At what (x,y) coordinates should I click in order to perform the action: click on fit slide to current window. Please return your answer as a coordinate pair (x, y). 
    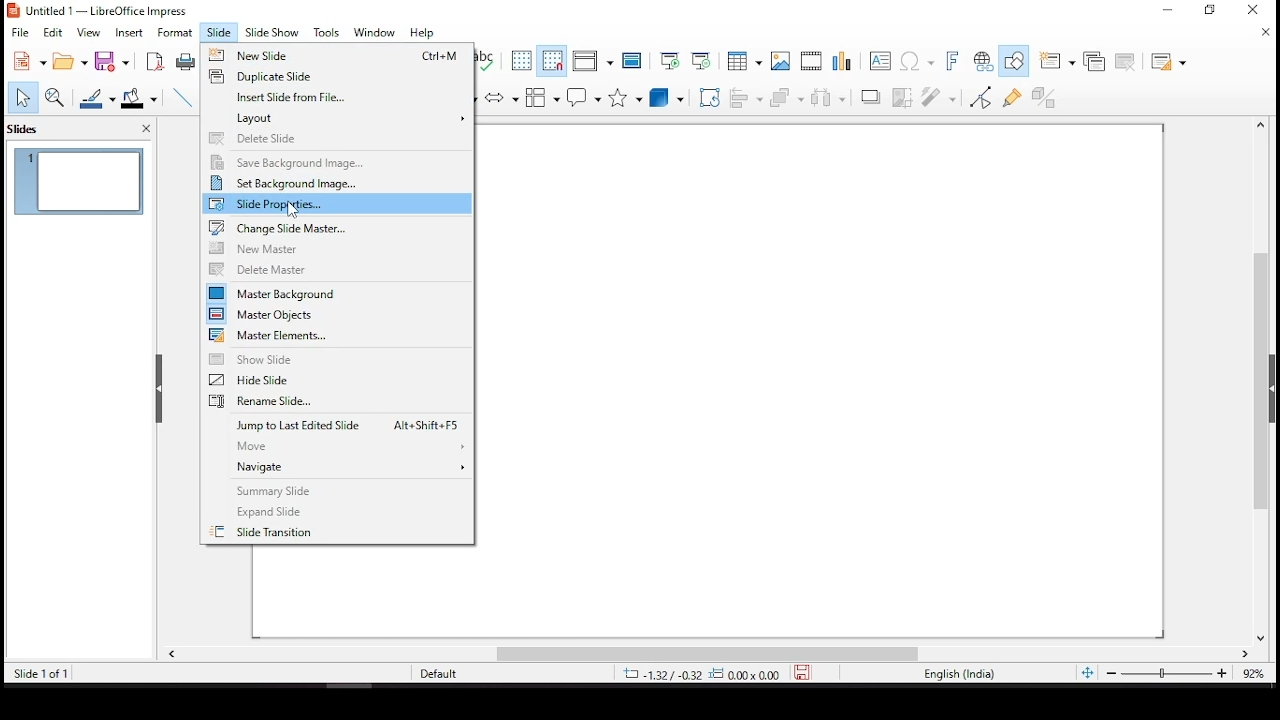
    Looking at the image, I should click on (1086, 674).